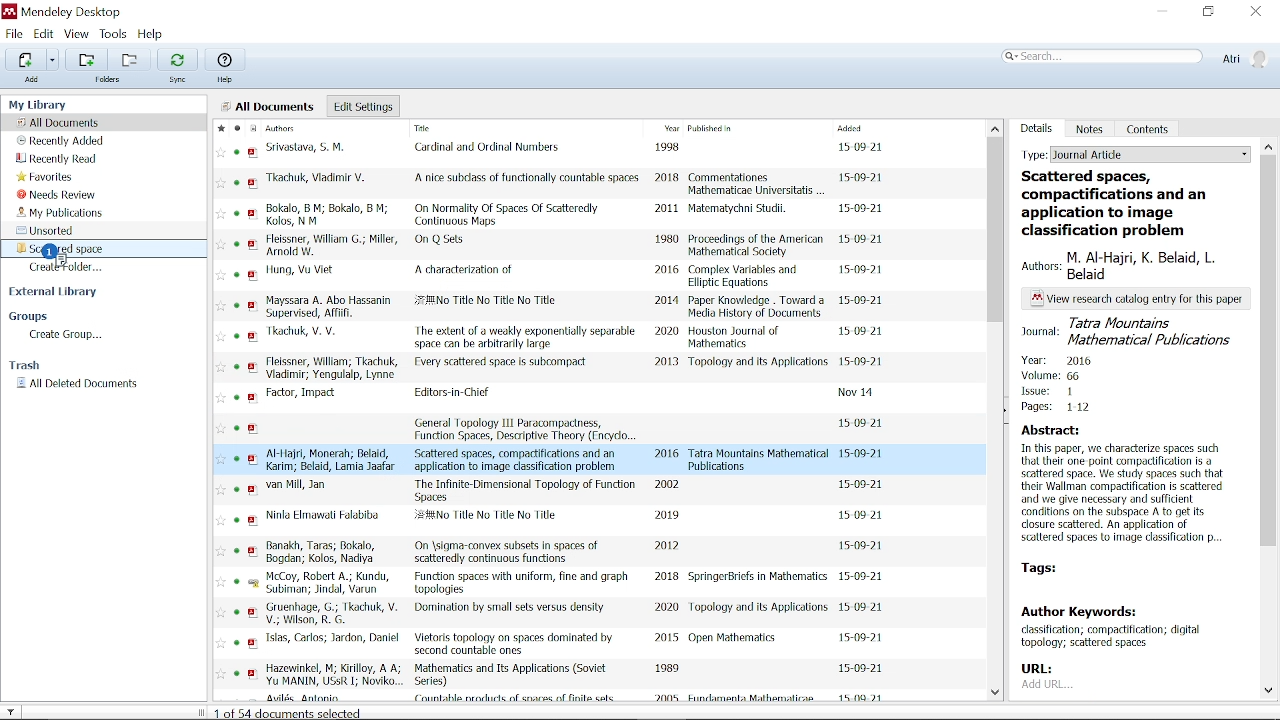 The image size is (1280, 720). Describe the element at coordinates (292, 712) in the screenshot. I see `documents selected` at that location.